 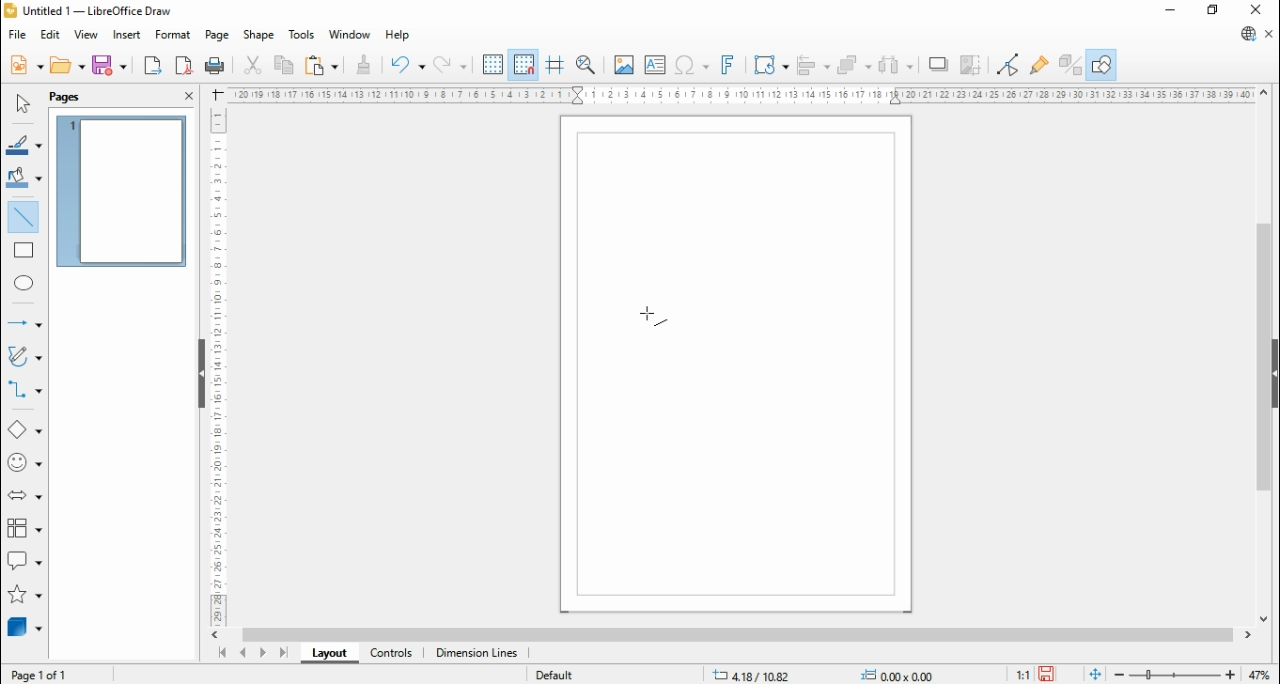 What do you see at coordinates (259, 35) in the screenshot?
I see `shape` at bounding box center [259, 35].